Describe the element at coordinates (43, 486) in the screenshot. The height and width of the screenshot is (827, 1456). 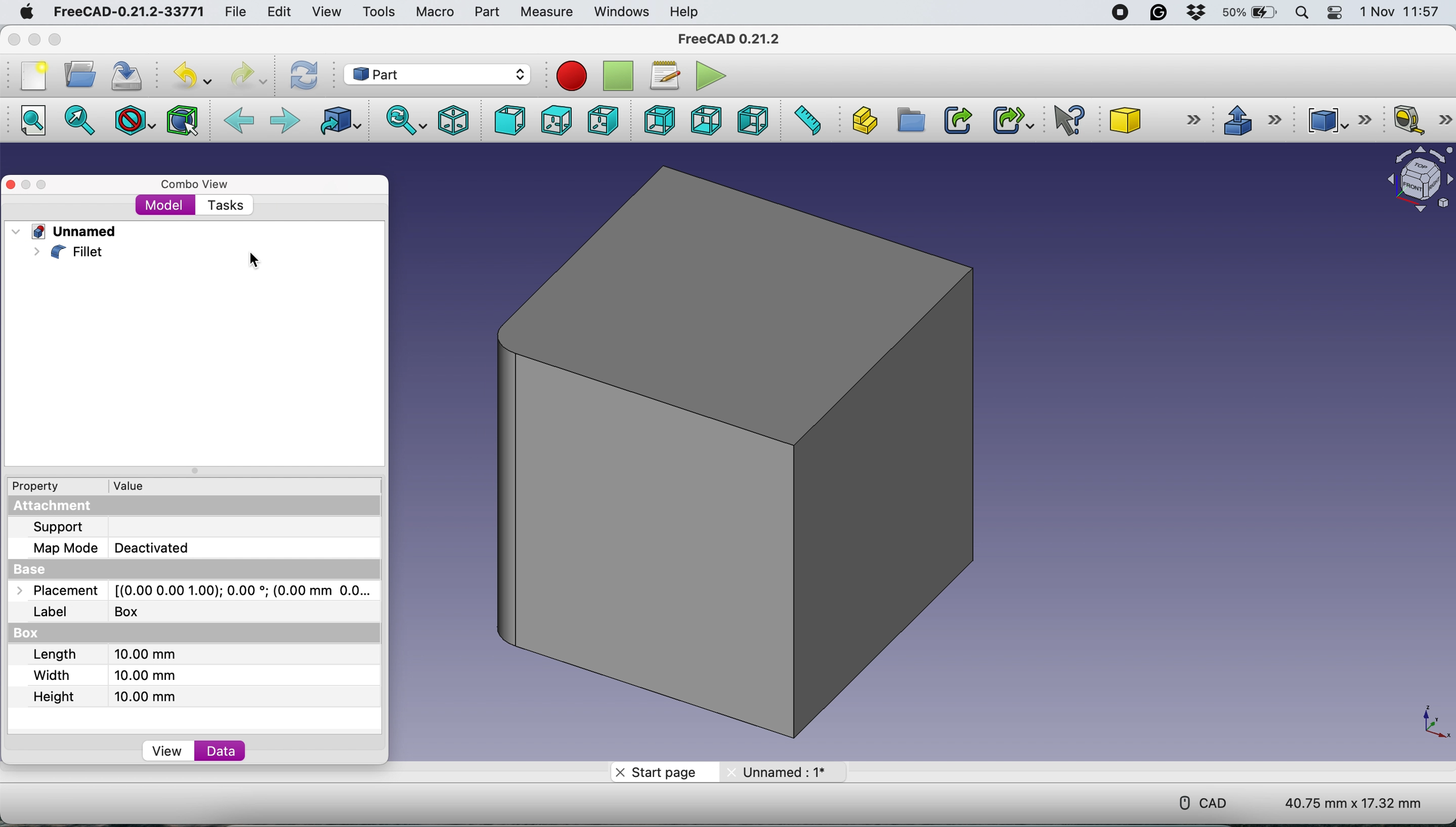
I see `property` at that location.